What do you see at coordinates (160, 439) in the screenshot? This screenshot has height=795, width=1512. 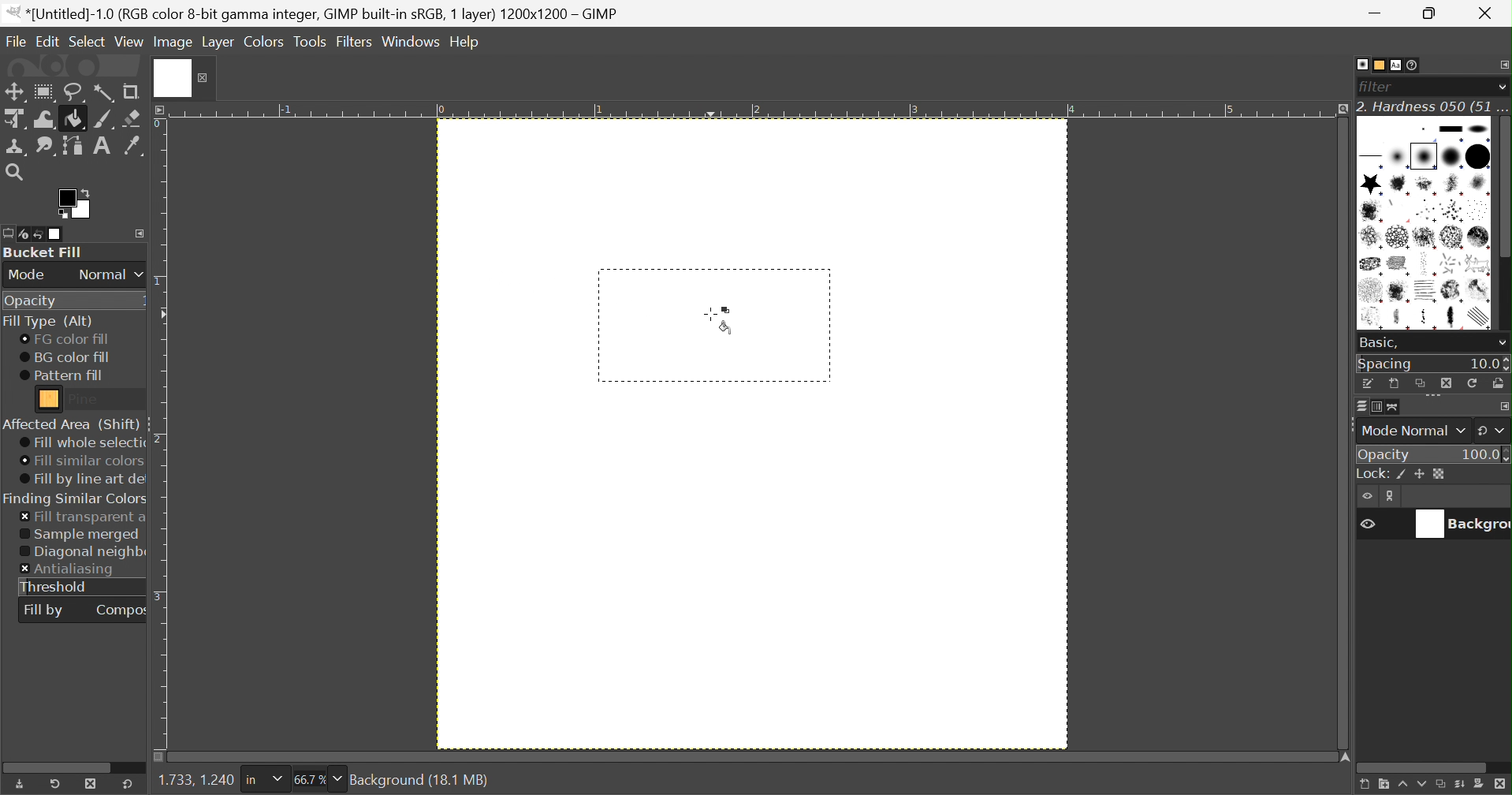 I see `2` at bounding box center [160, 439].